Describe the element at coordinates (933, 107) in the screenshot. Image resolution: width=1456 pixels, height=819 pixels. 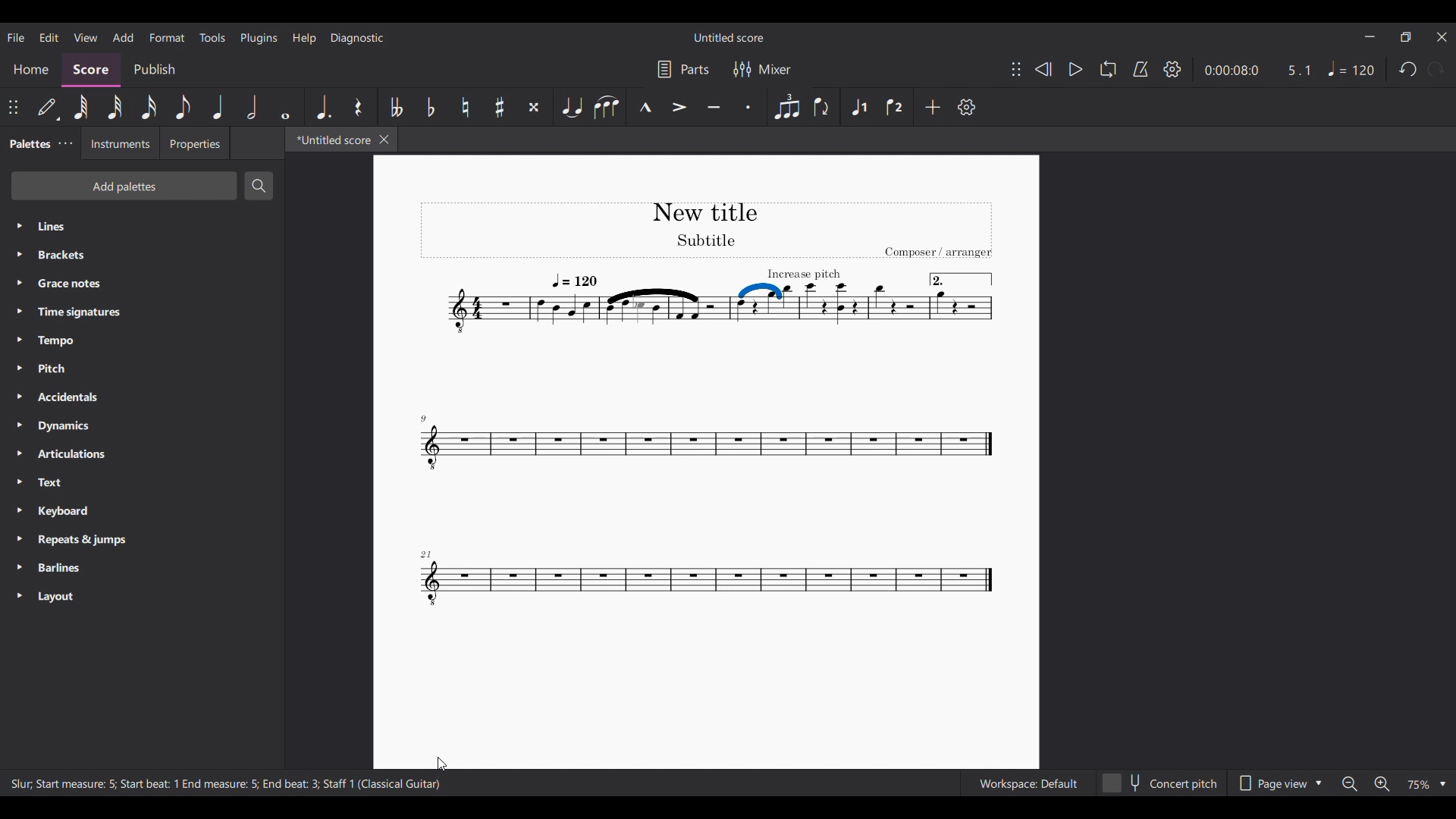
I see `Add` at that location.